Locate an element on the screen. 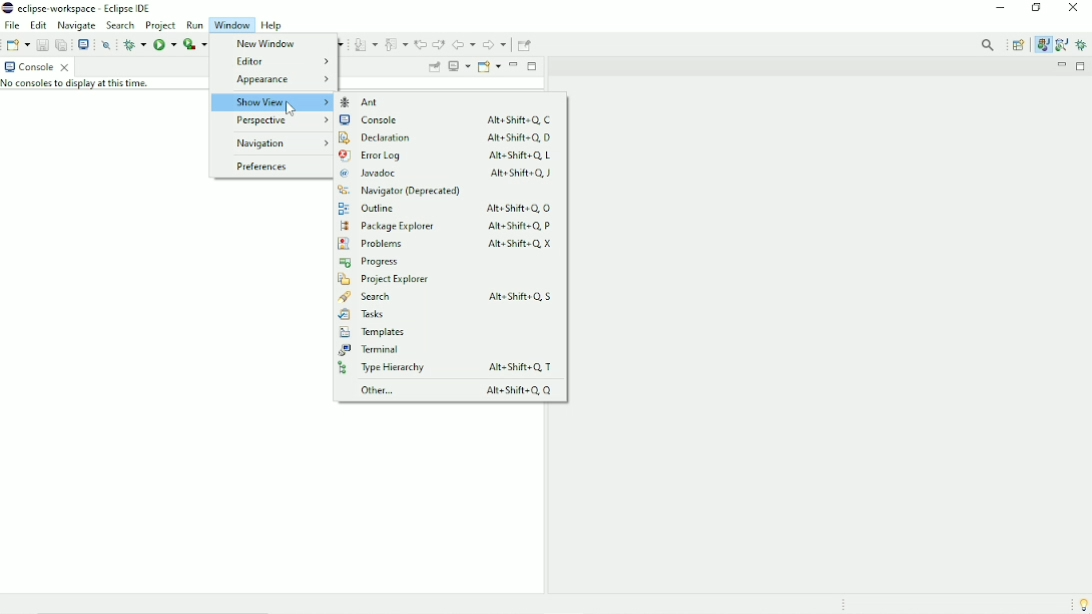  Next Annotation is located at coordinates (365, 45).